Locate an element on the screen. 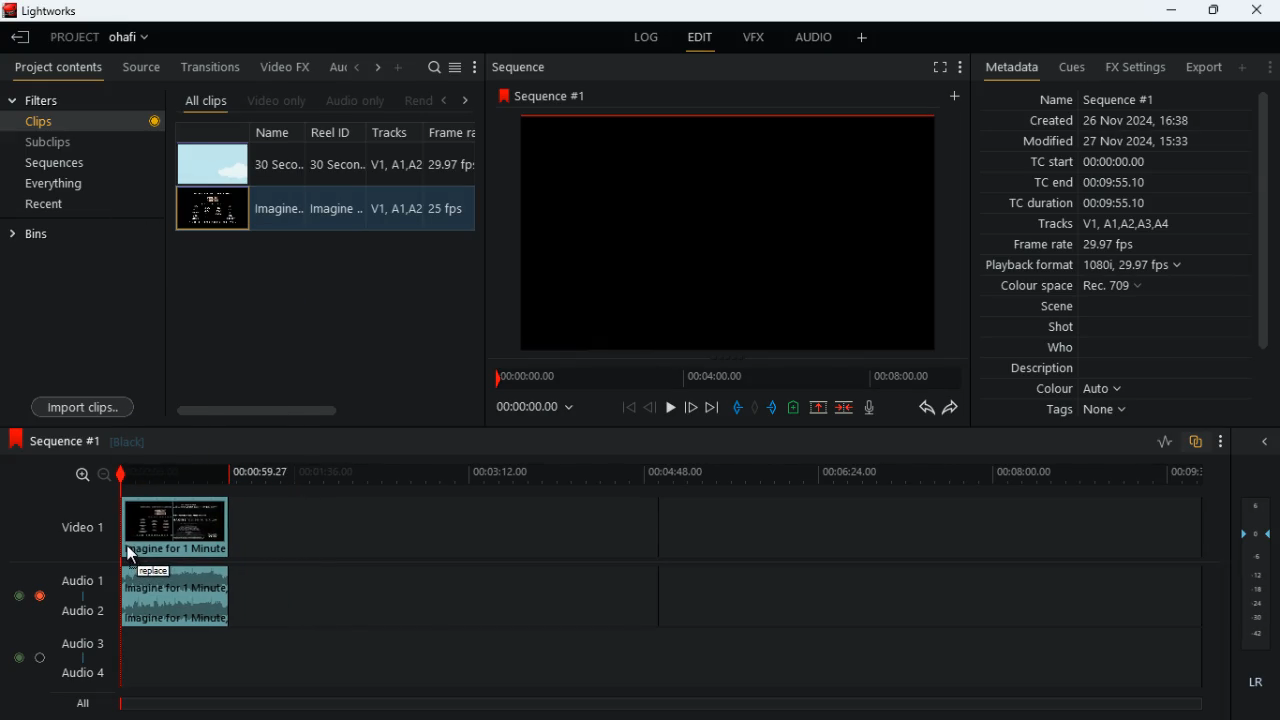 The width and height of the screenshot is (1280, 720). tc duration is located at coordinates (1110, 205).